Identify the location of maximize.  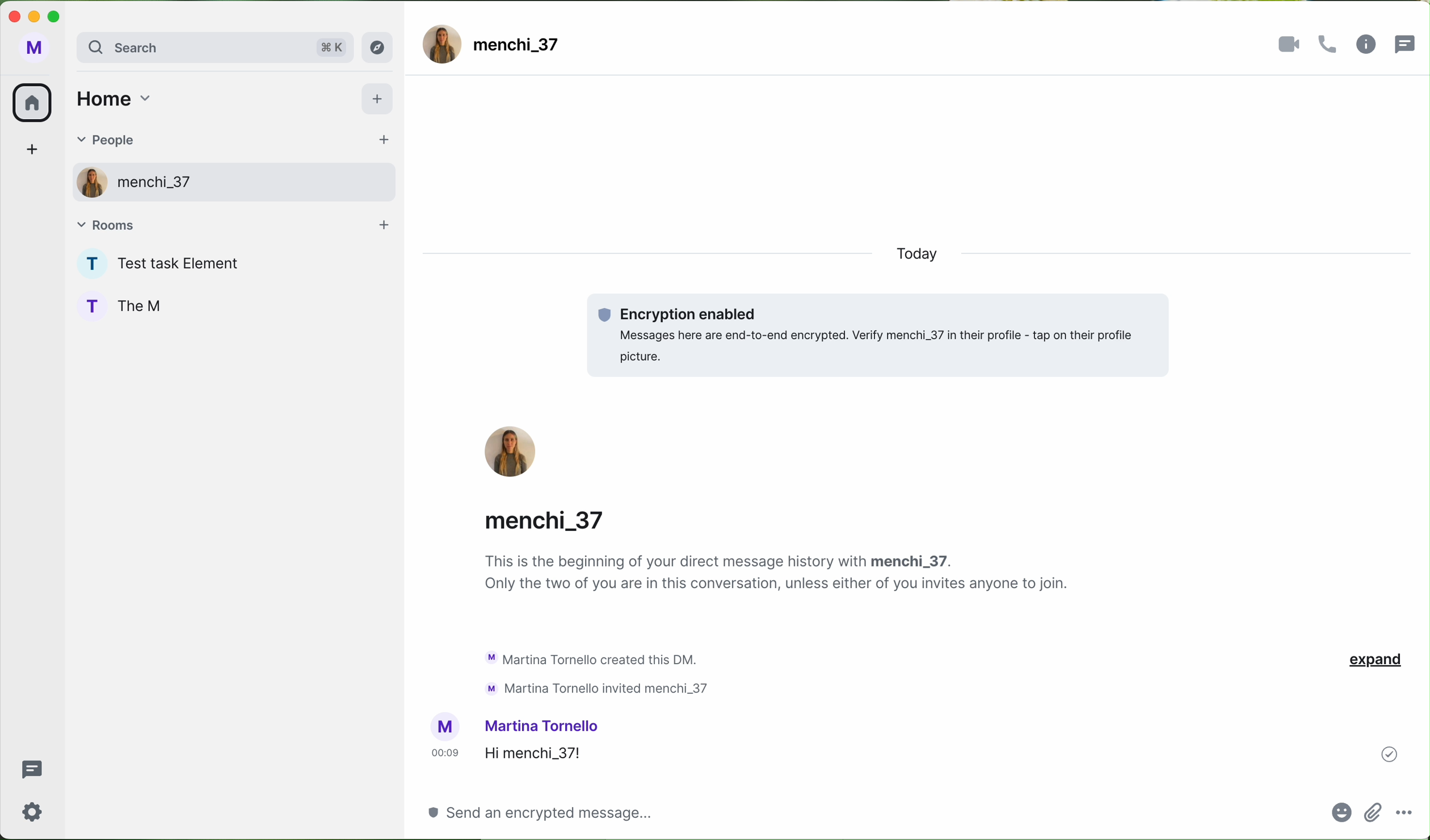
(59, 16).